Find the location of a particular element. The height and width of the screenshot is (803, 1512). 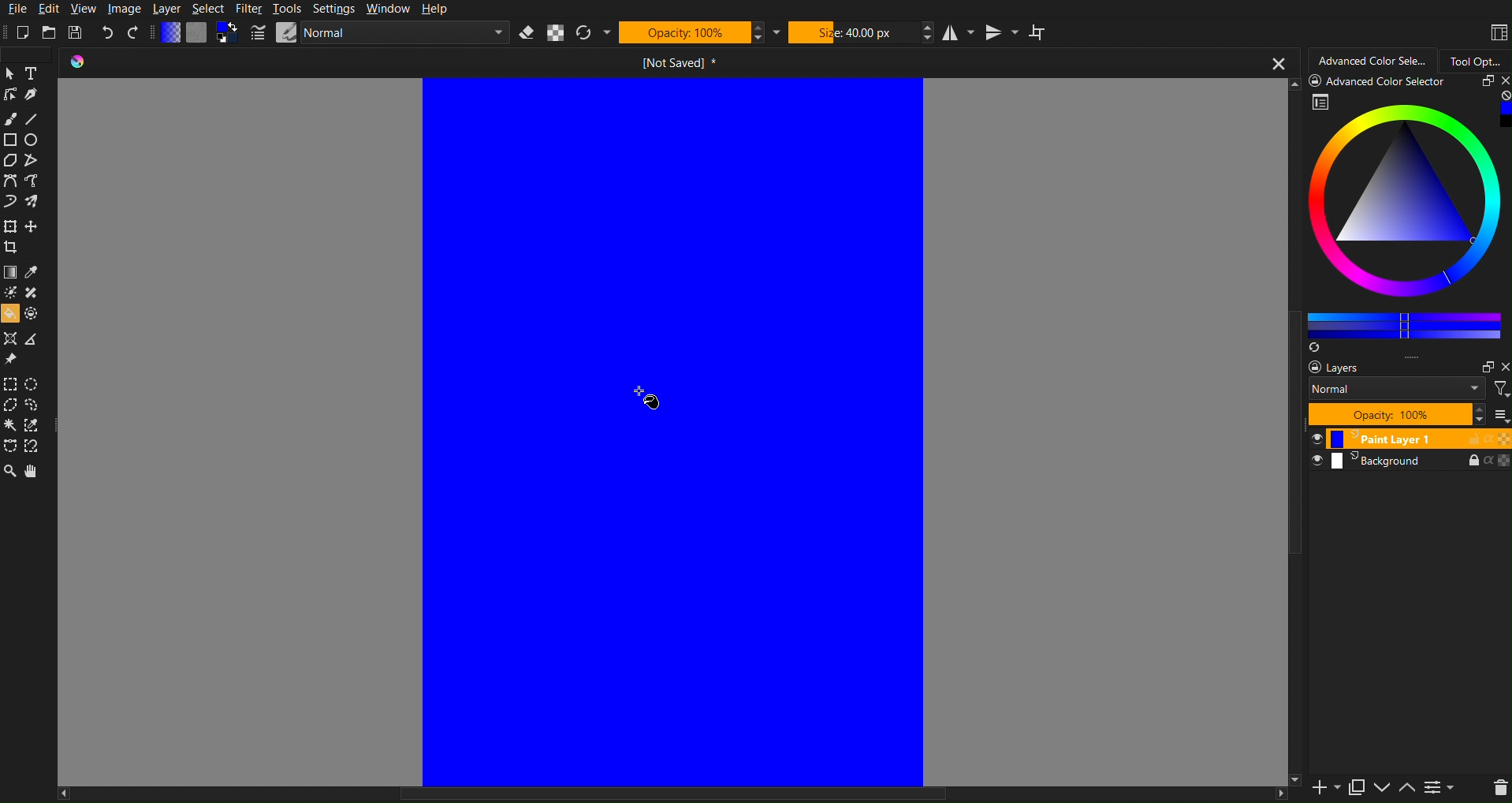

sync is located at coordinates (1316, 345).